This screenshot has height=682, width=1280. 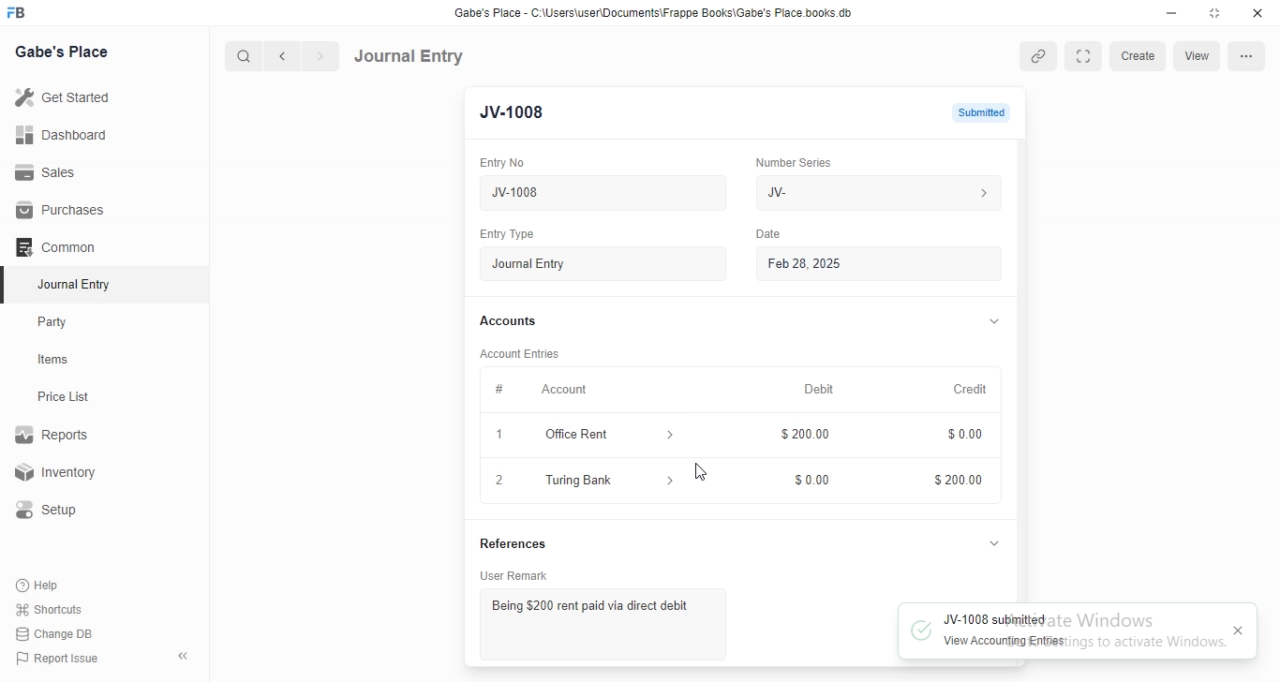 What do you see at coordinates (1170, 12) in the screenshot?
I see `minimize` at bounding box center [1170, 12].